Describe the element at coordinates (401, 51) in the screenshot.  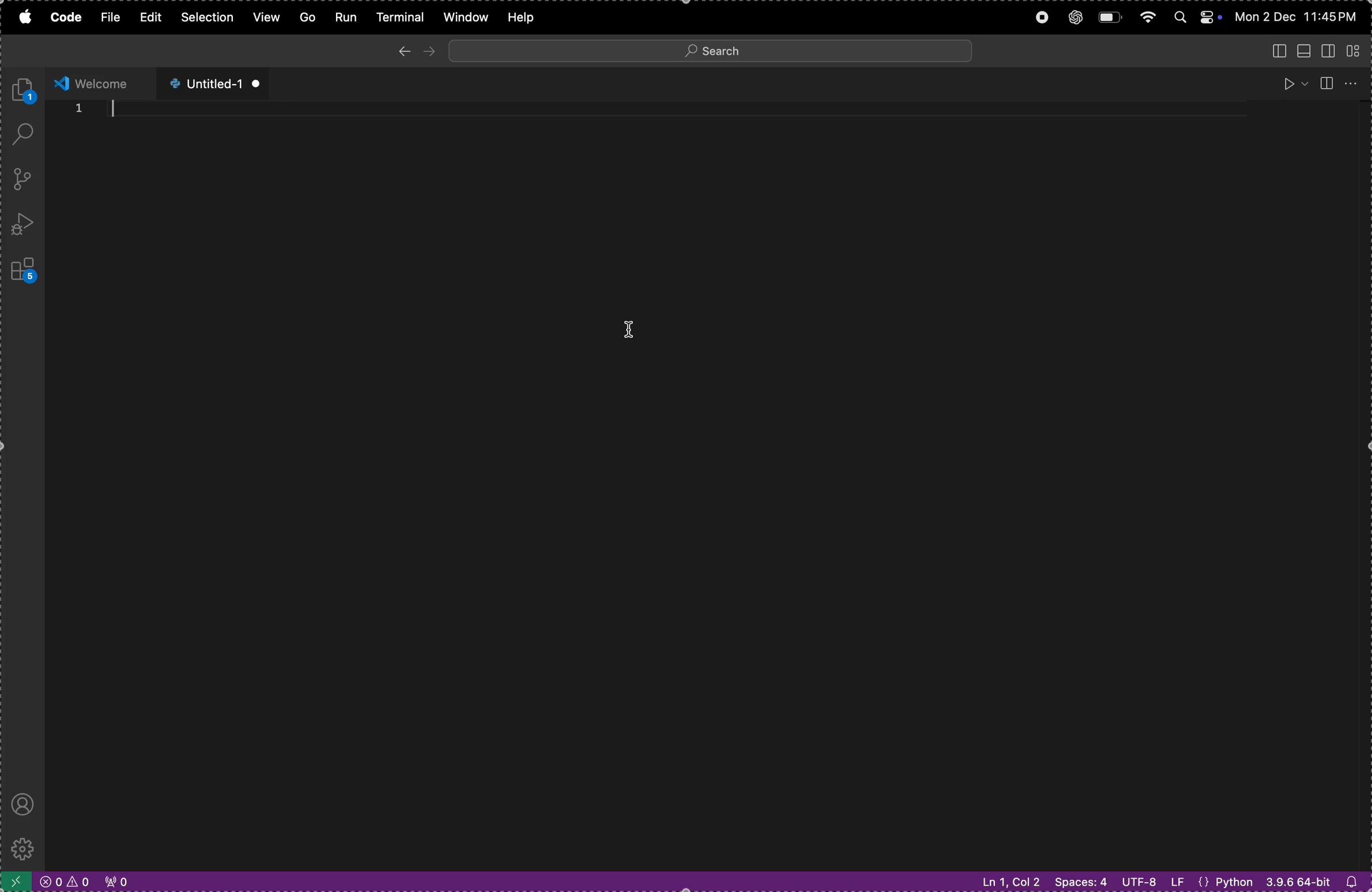
I see `back` at that location.